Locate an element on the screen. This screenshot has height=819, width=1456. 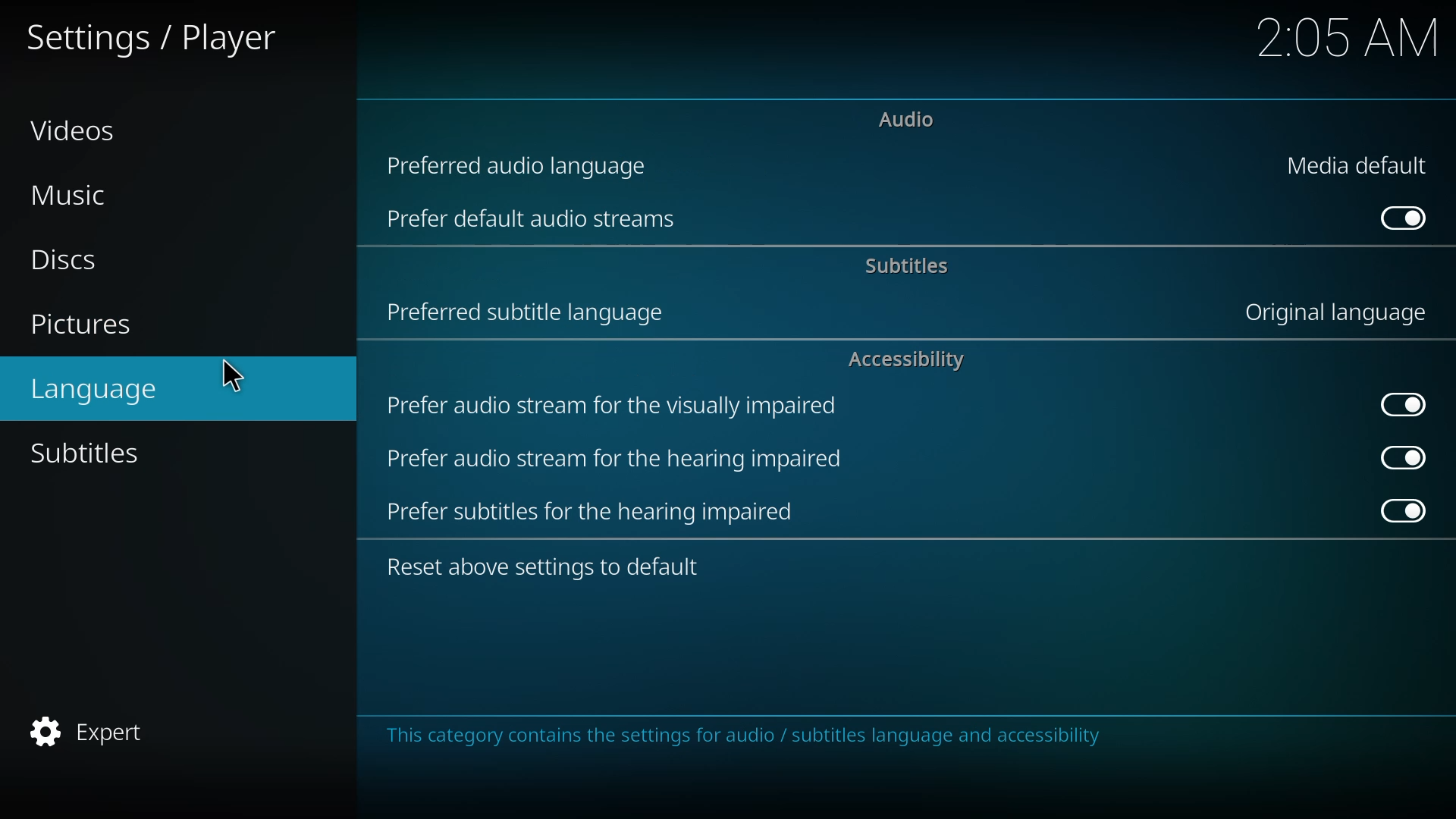
reset to default is located at coordinates (551, 565).